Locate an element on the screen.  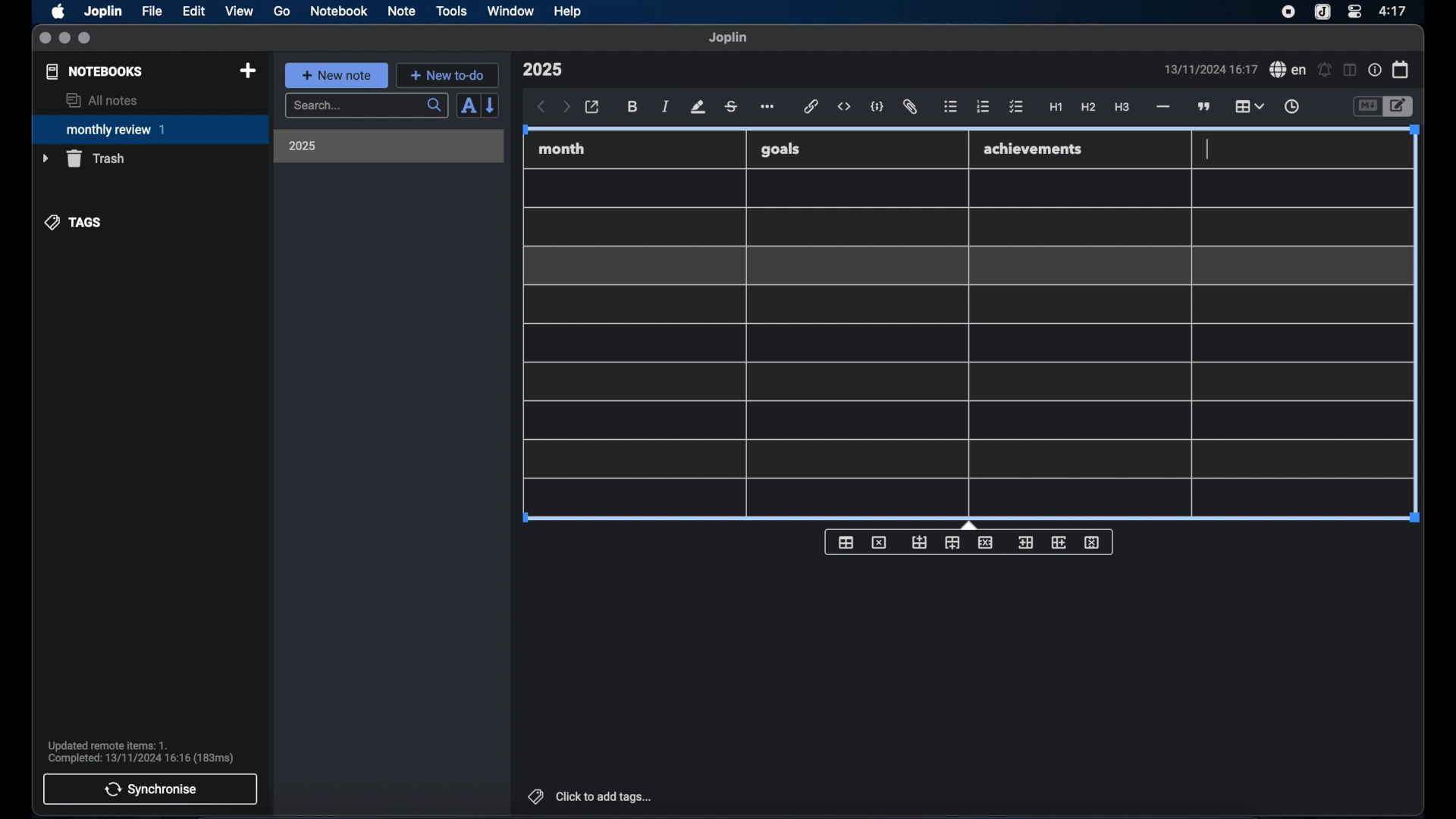
control center is located at coordinates (1354, 11).